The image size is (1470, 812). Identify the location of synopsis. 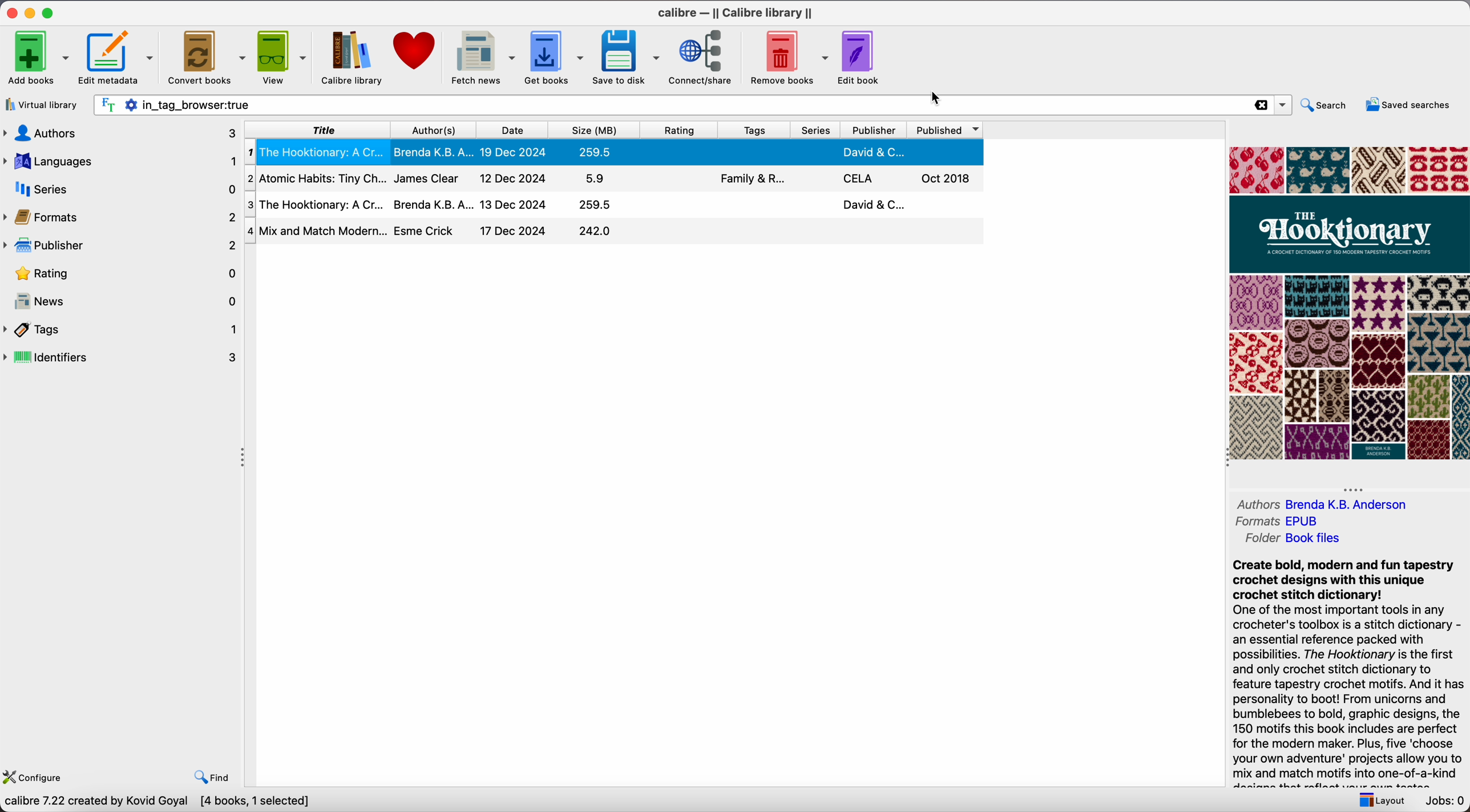
(1351, 672).